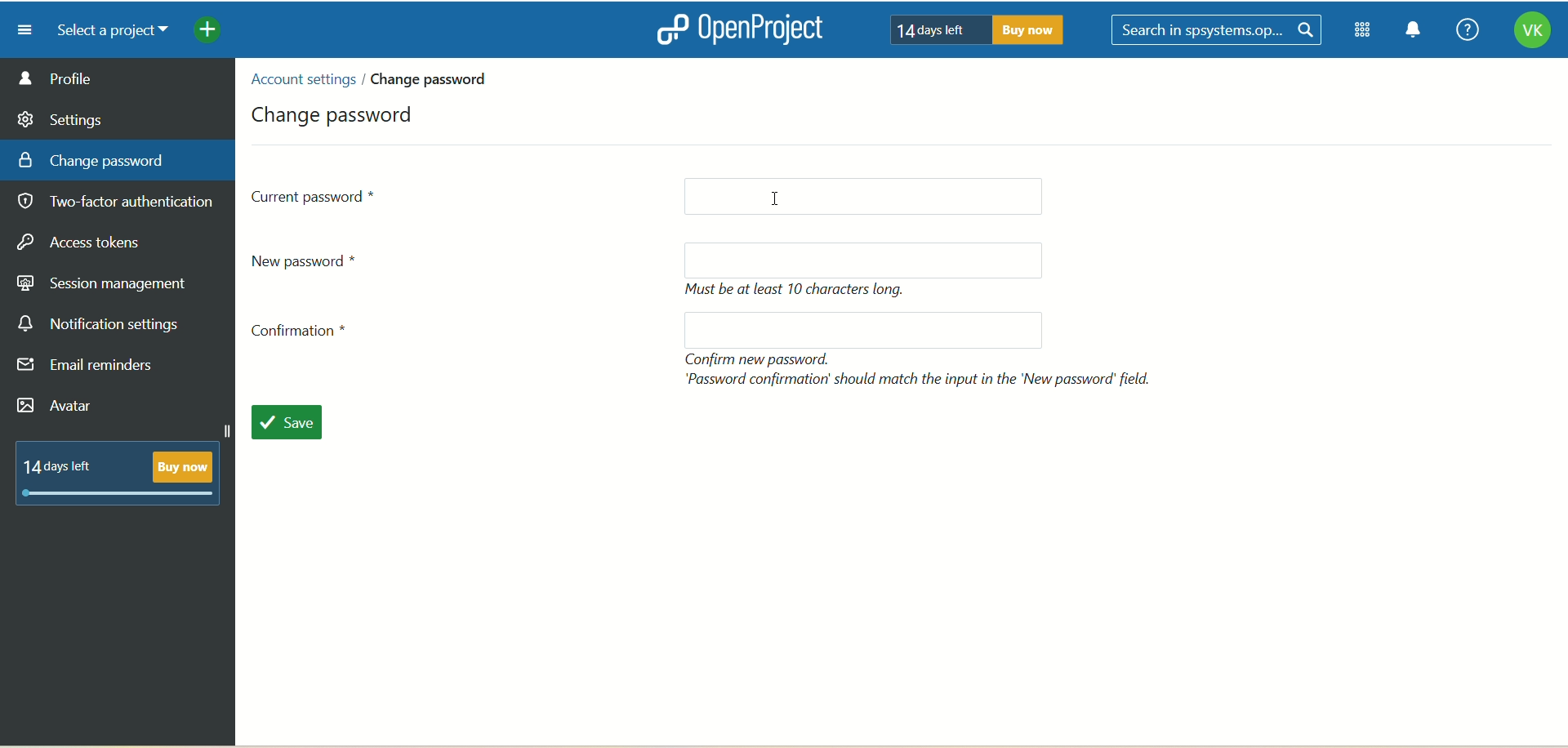  What do you see at coordinates (296, 425) in the screenshot?
I see `save` at bounding box center [296, 425].